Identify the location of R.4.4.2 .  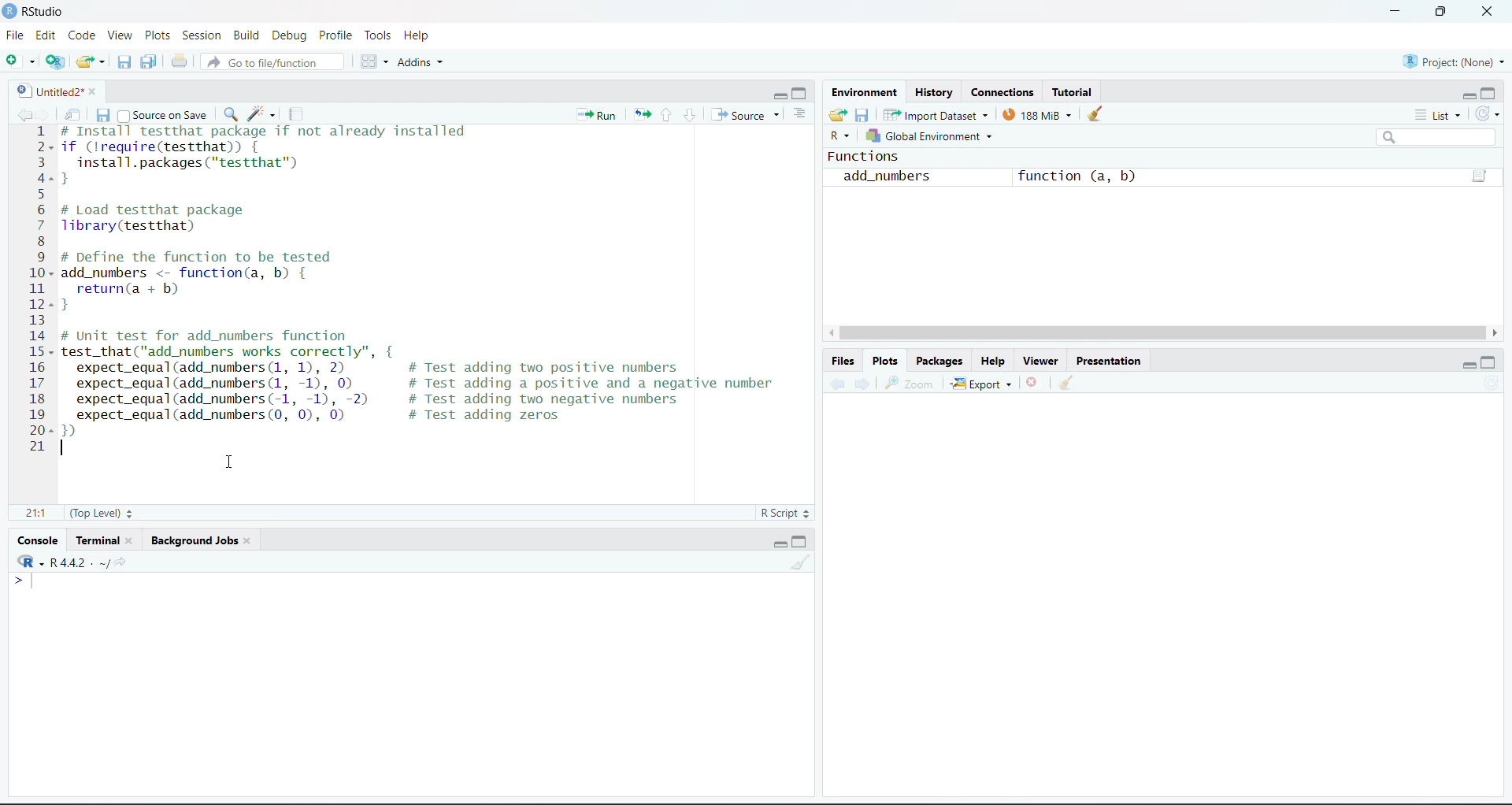
(56, 561).